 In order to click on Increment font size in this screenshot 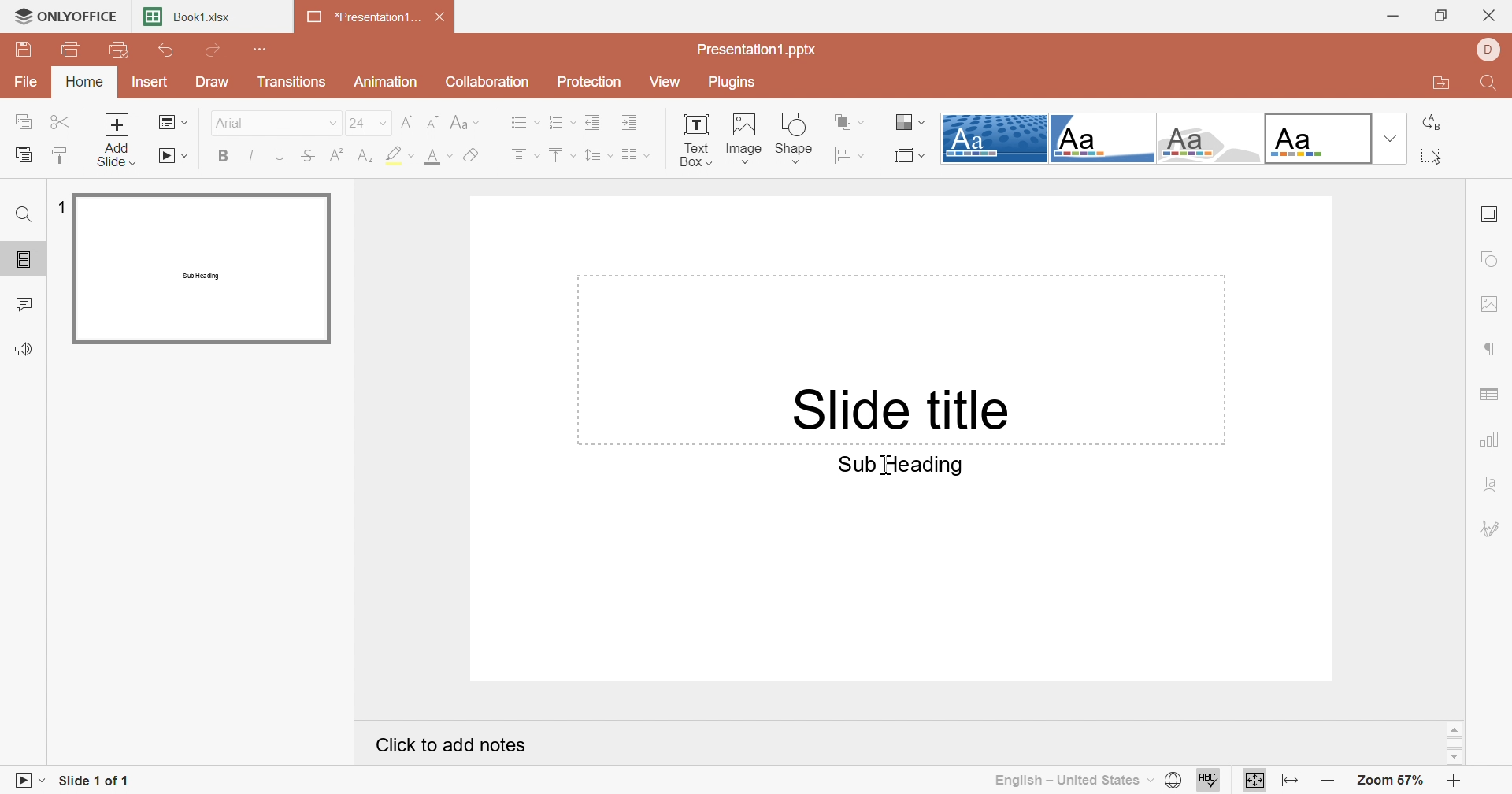, I will do `click(435, 122)`.